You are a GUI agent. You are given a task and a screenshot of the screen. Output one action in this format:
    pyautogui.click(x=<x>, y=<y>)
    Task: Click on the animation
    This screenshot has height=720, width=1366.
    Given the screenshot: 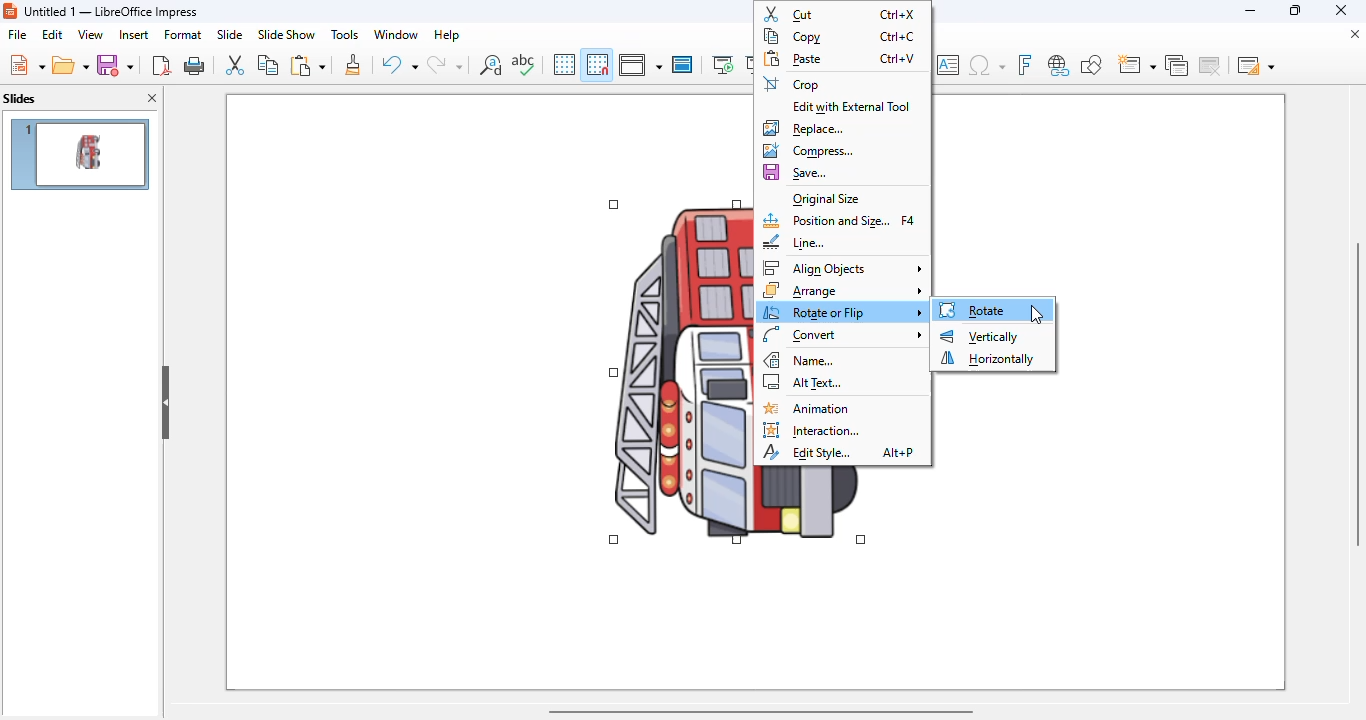 What is the action you would take?
    pyautogui.click(x=807, y=408)
    